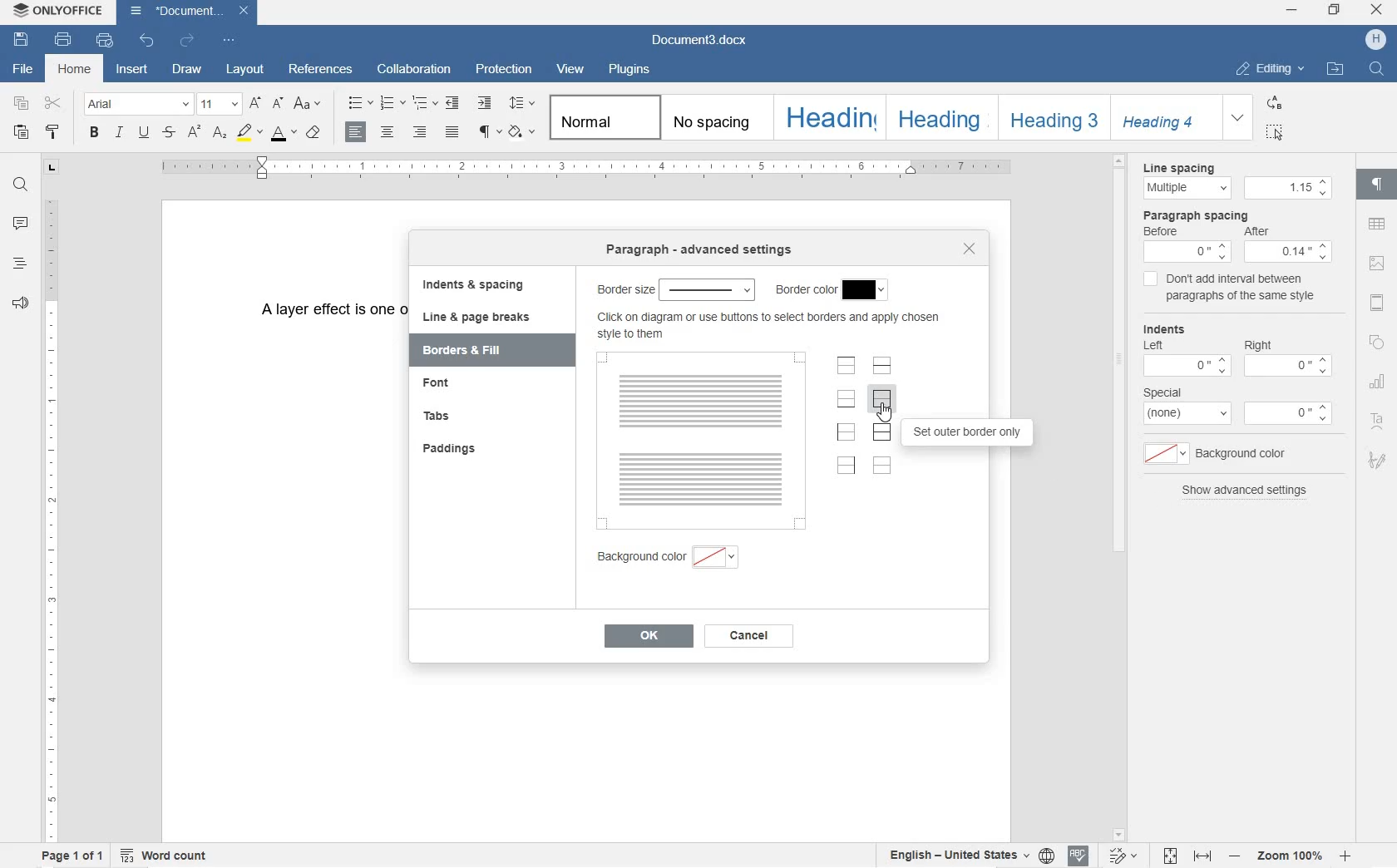  I want to click on ALIGN RIGHT, so click(419, 132).